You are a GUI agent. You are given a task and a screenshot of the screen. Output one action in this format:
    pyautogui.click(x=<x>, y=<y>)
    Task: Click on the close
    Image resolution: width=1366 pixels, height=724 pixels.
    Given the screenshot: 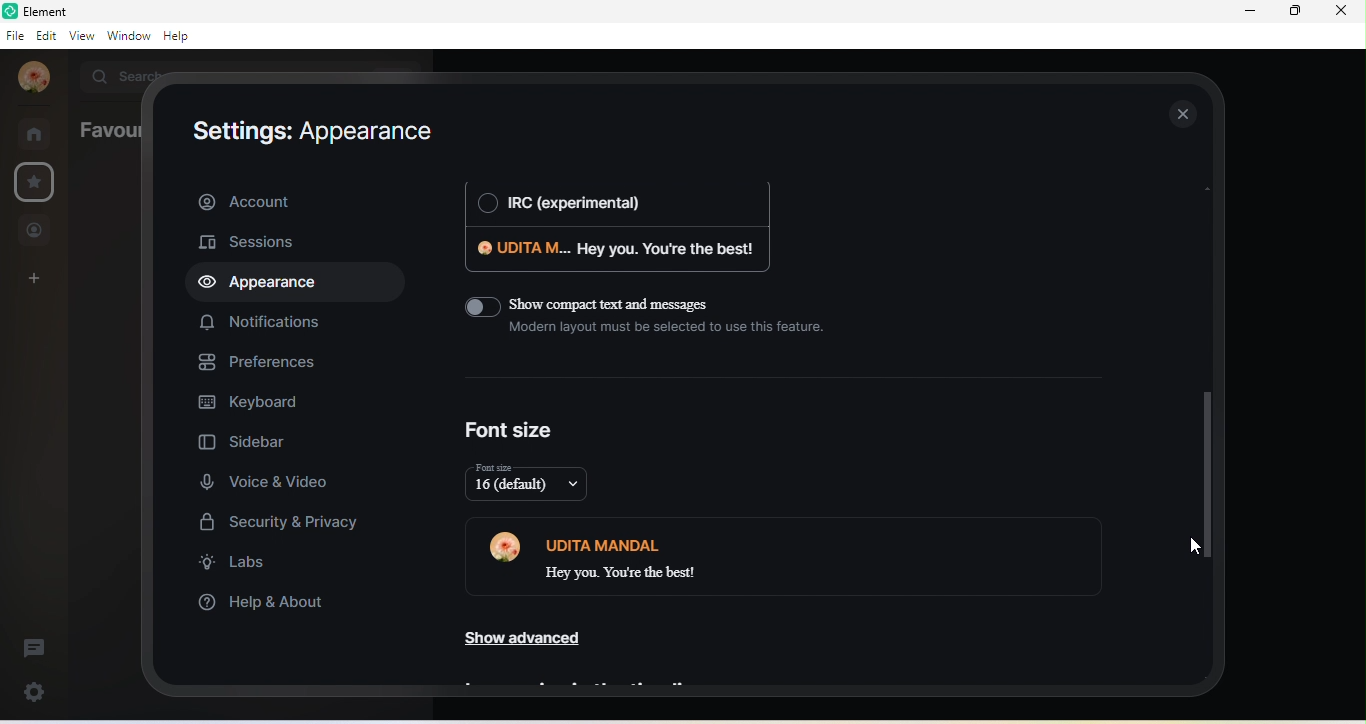 What is the action you would take?
    pyautogui.click(x=1185, y=113)
    